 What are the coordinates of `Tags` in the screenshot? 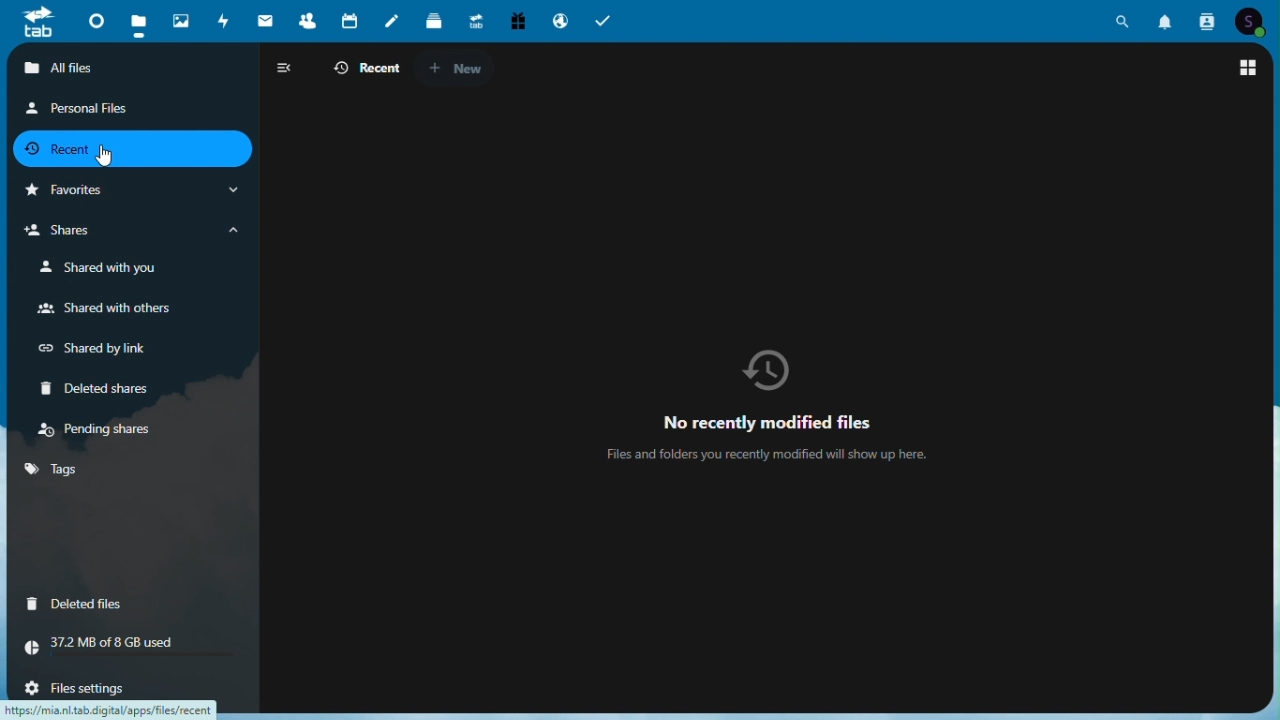 It's located at (131, 471).